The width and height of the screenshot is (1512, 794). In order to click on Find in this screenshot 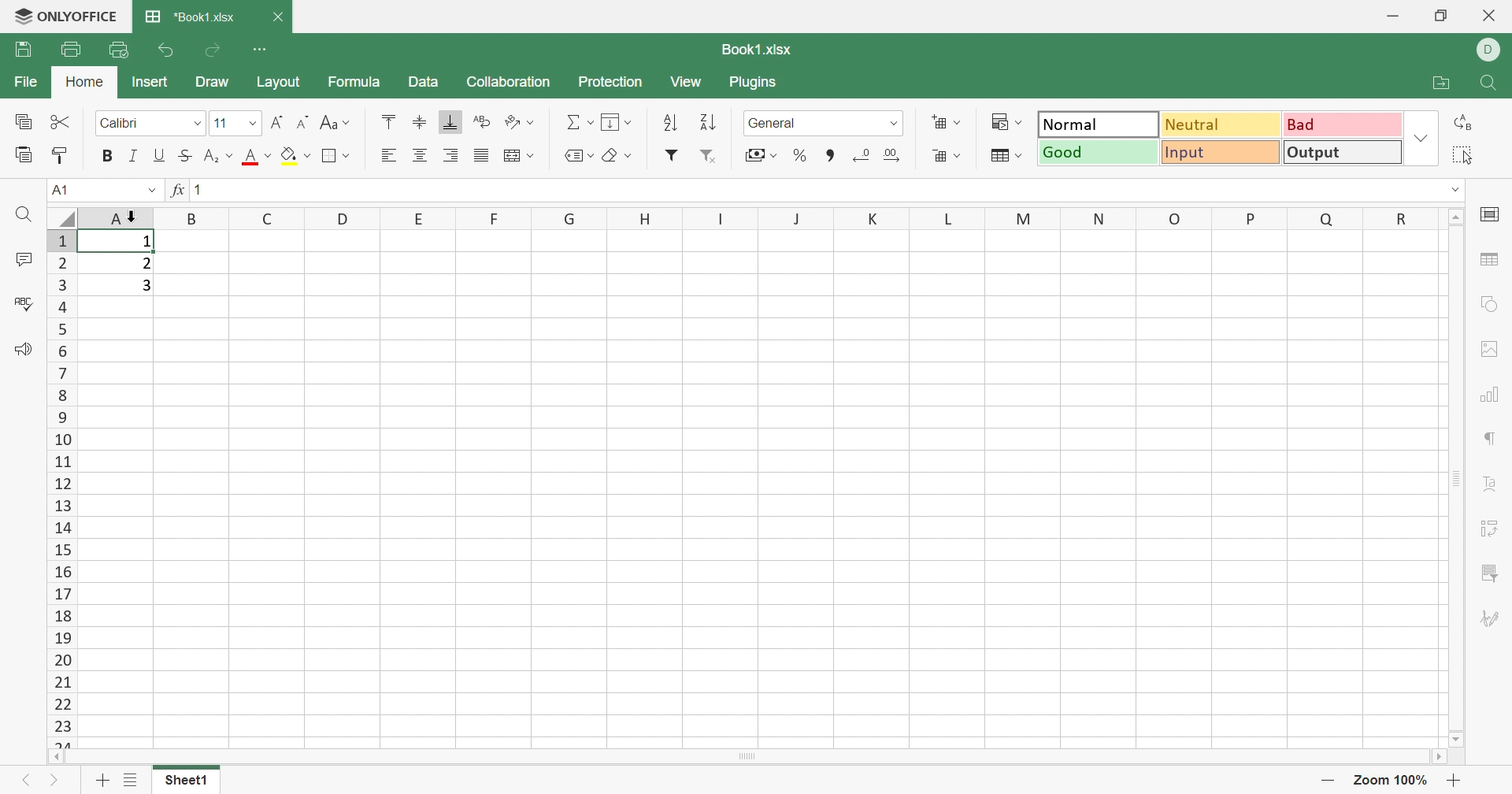, I will do `click(24, 214)`.